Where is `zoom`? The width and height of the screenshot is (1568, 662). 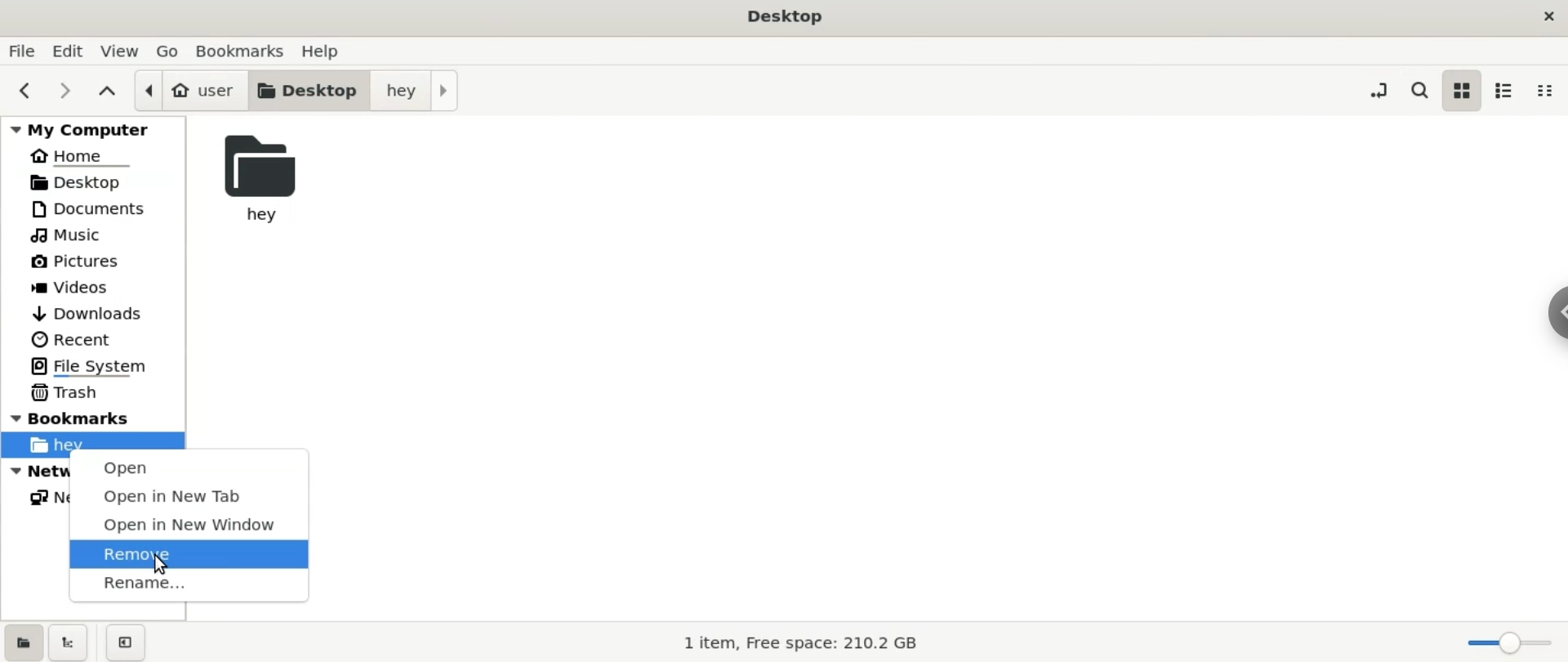
zoom is located at coordinates (1509, 642).